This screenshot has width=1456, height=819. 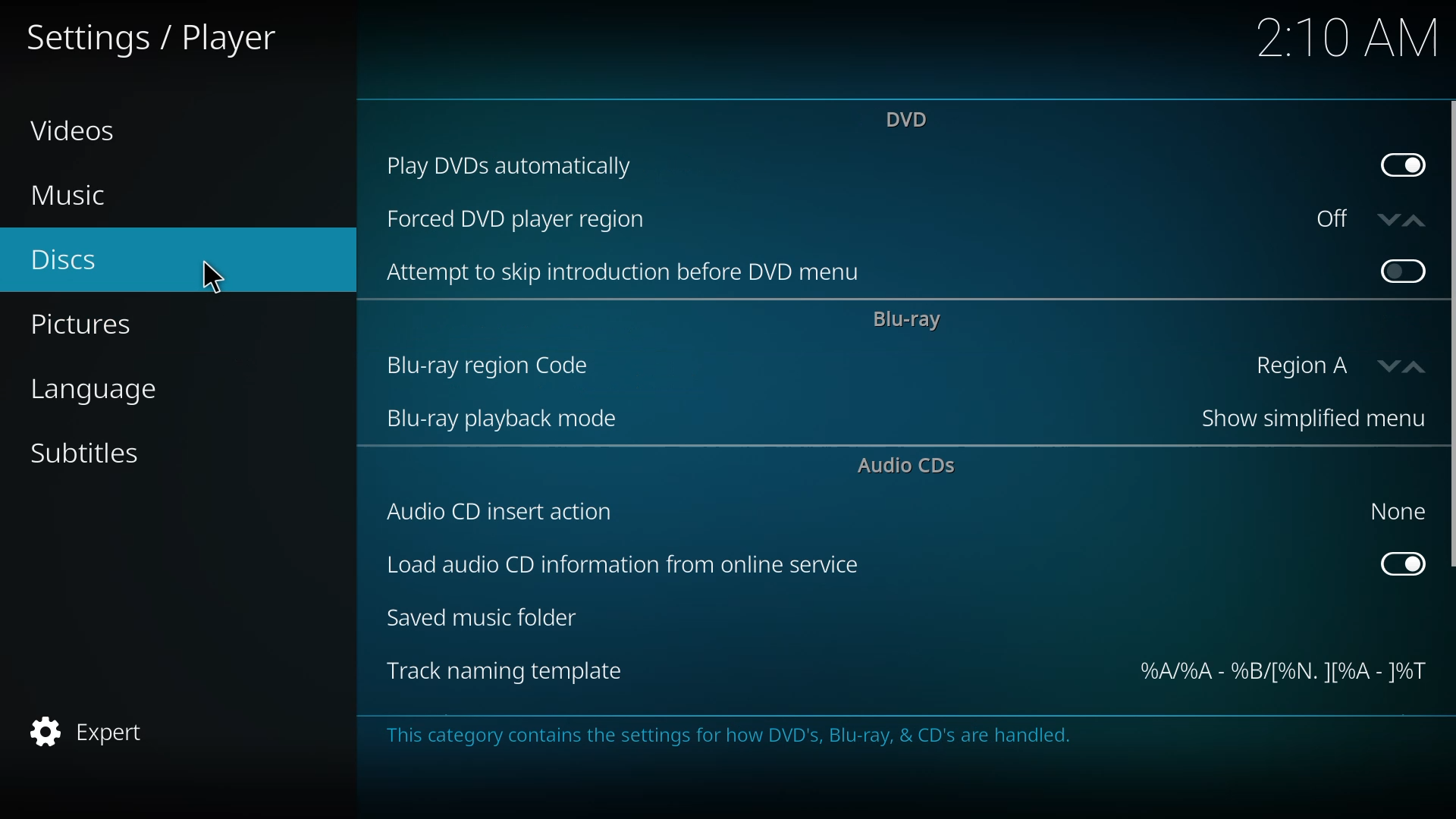 I want to click on discs, so click(x=71, y=256).